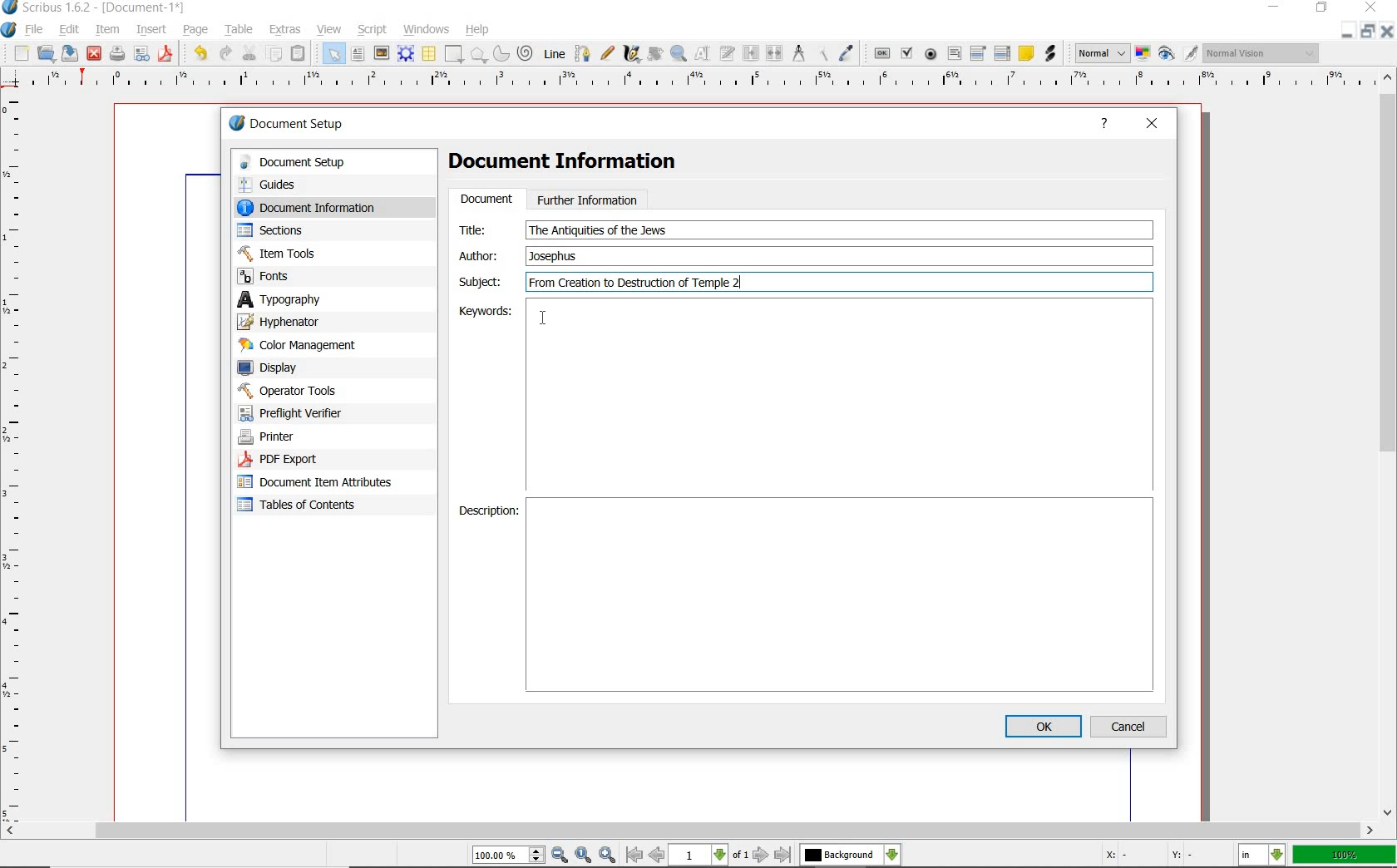  I want to click on color management, so click(301, 345).